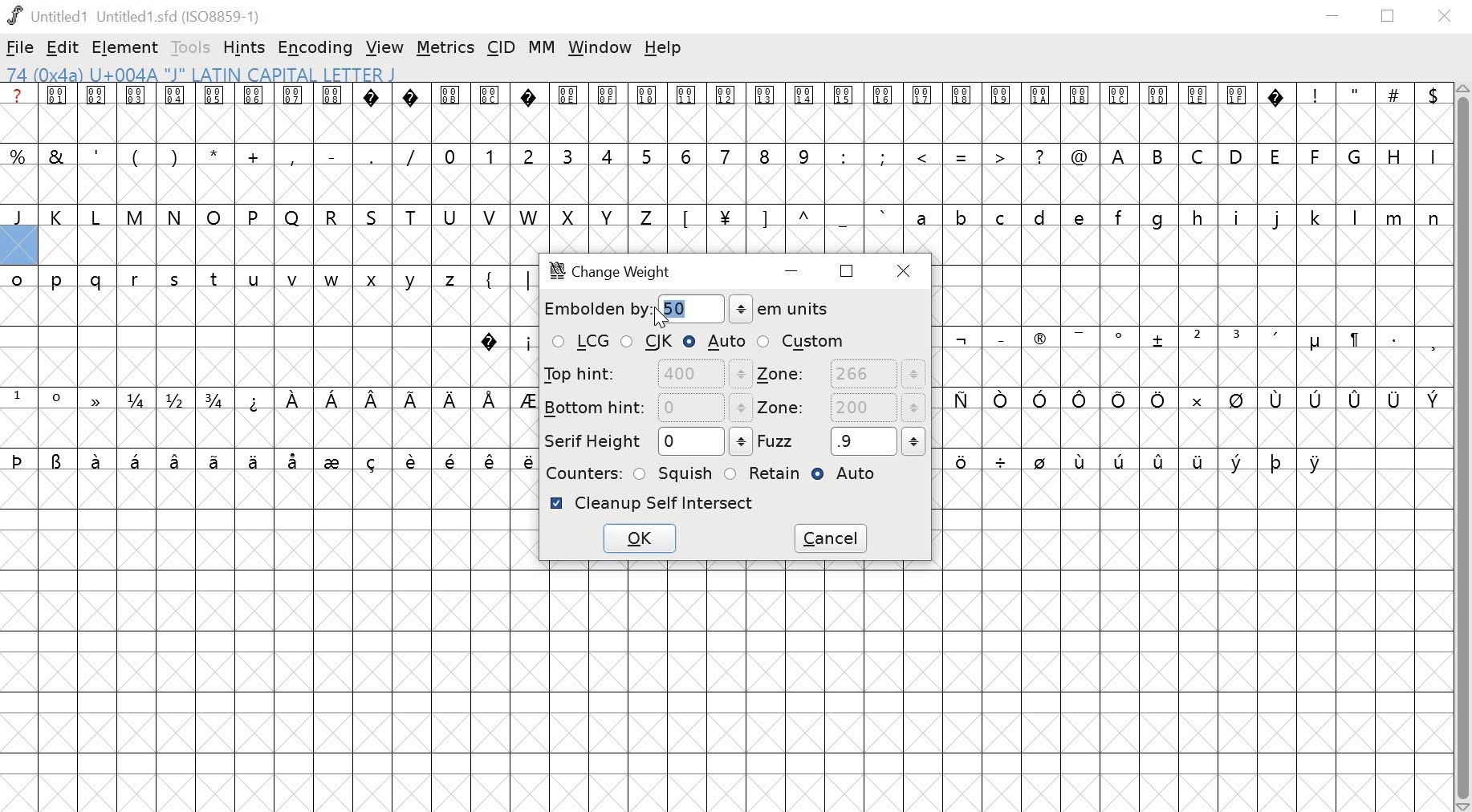 Image resolution: width=1472 pixels, height=812 pixels. I want to click on symbols, so click(504, 341).